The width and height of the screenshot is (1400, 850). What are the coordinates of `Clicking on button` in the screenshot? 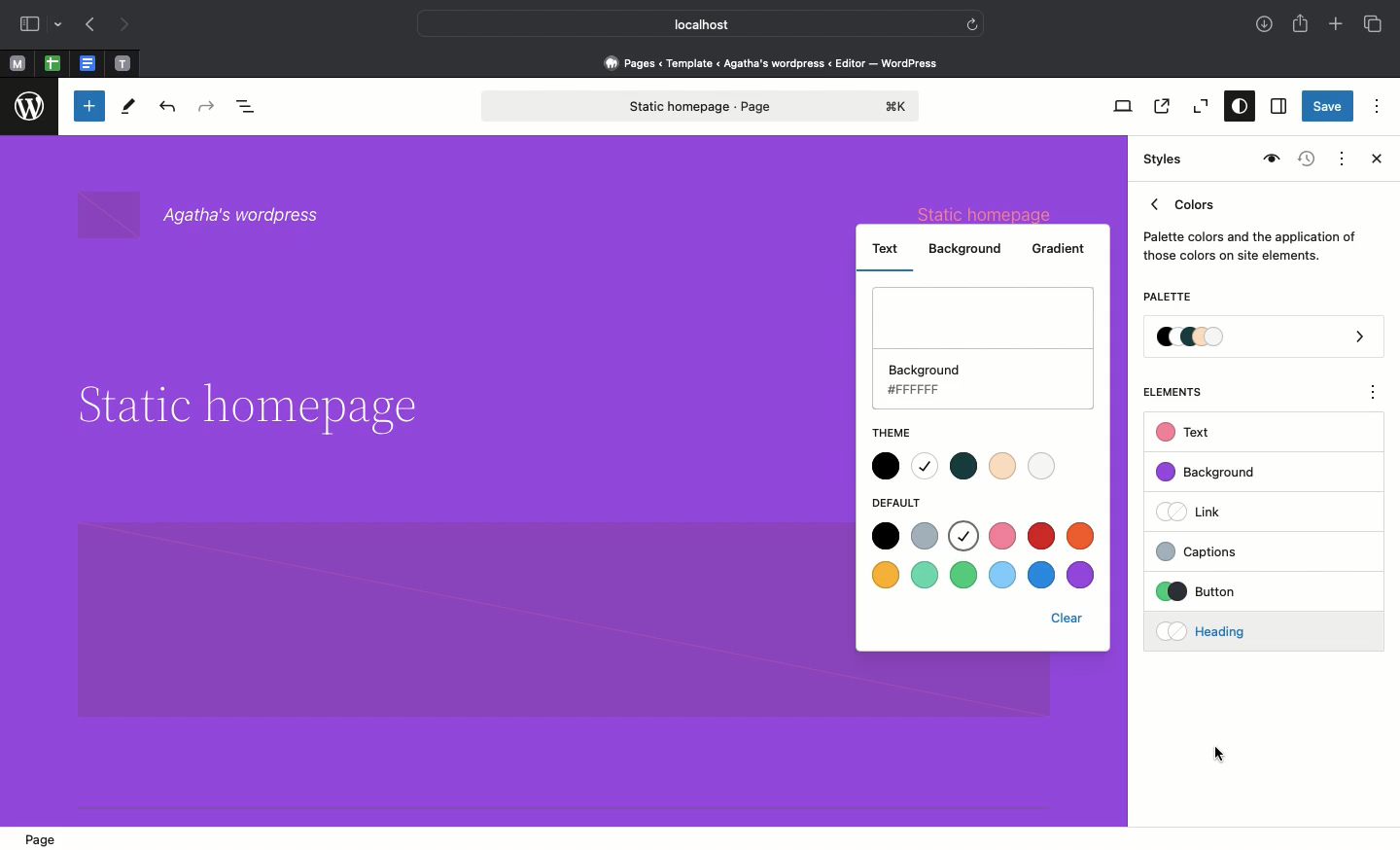 It's located at (1235, 592).